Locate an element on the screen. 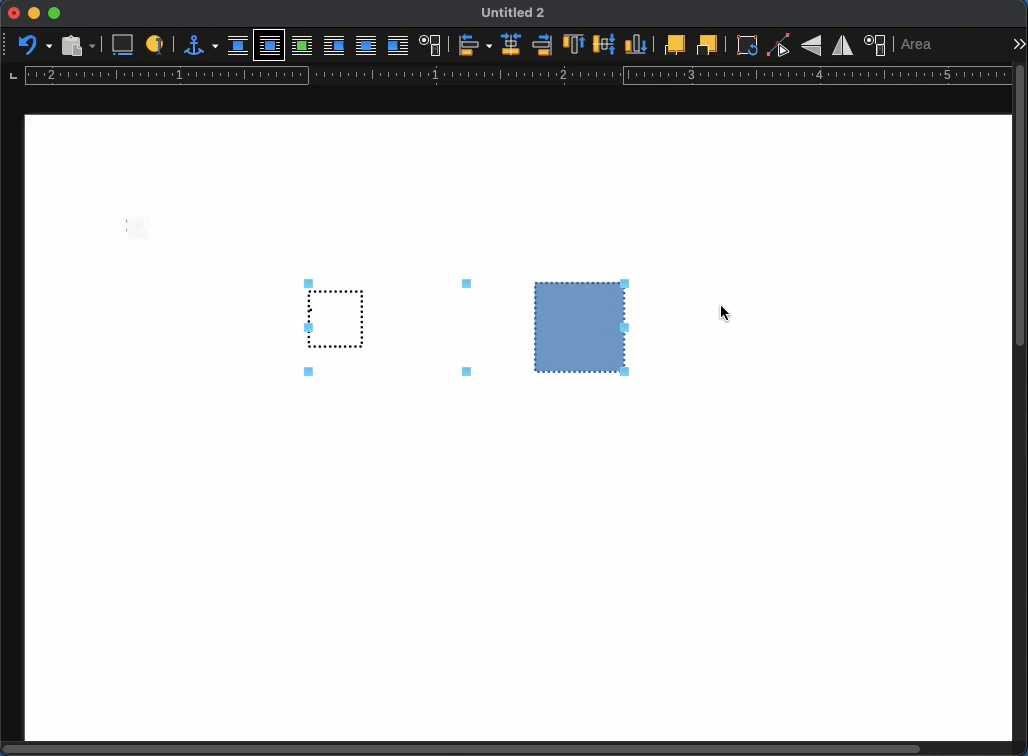 The width and height of the screenshot is (1028, 756). top is located at coordinates (574, 45).